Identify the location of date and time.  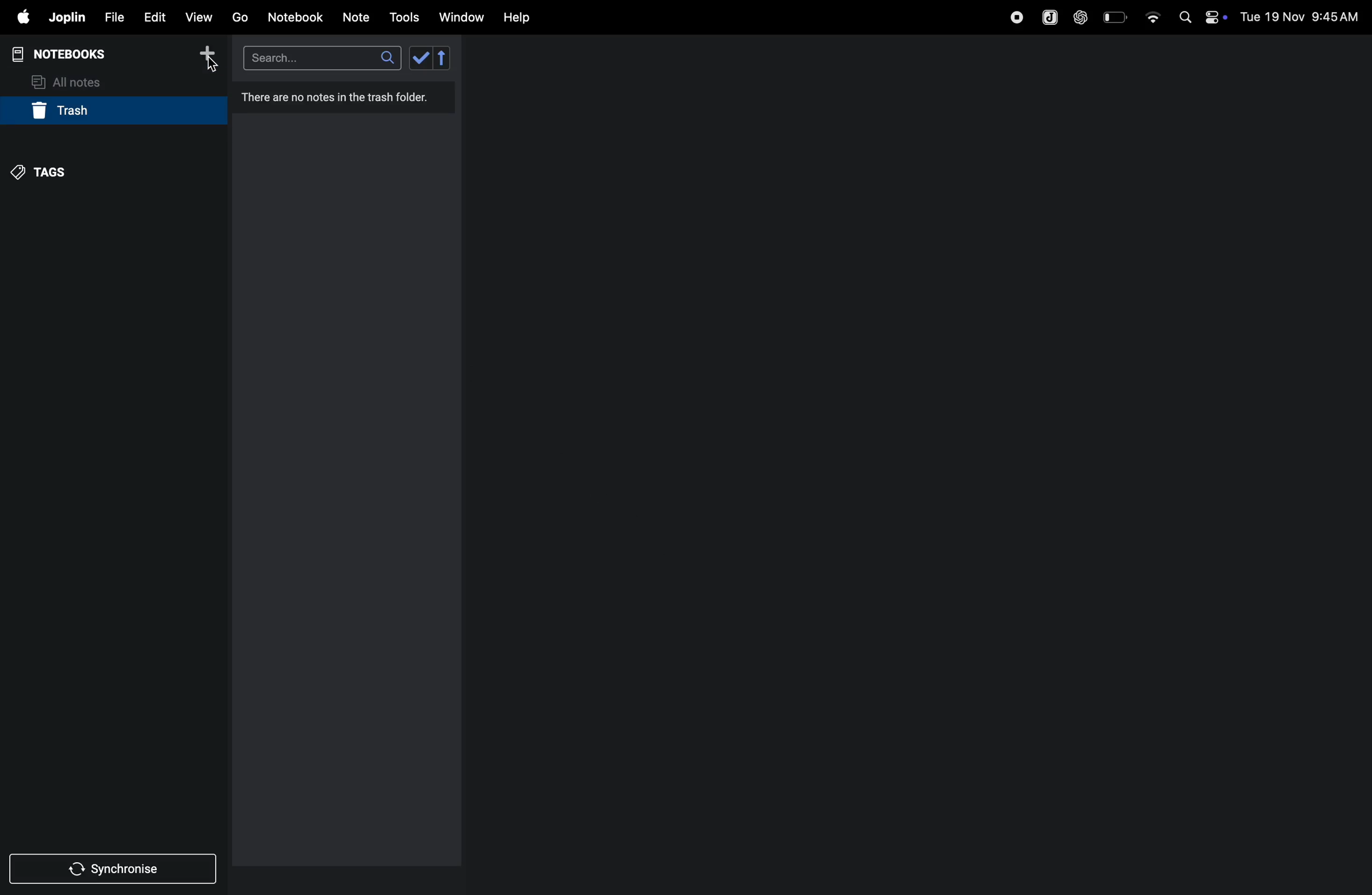
(1303, 16).